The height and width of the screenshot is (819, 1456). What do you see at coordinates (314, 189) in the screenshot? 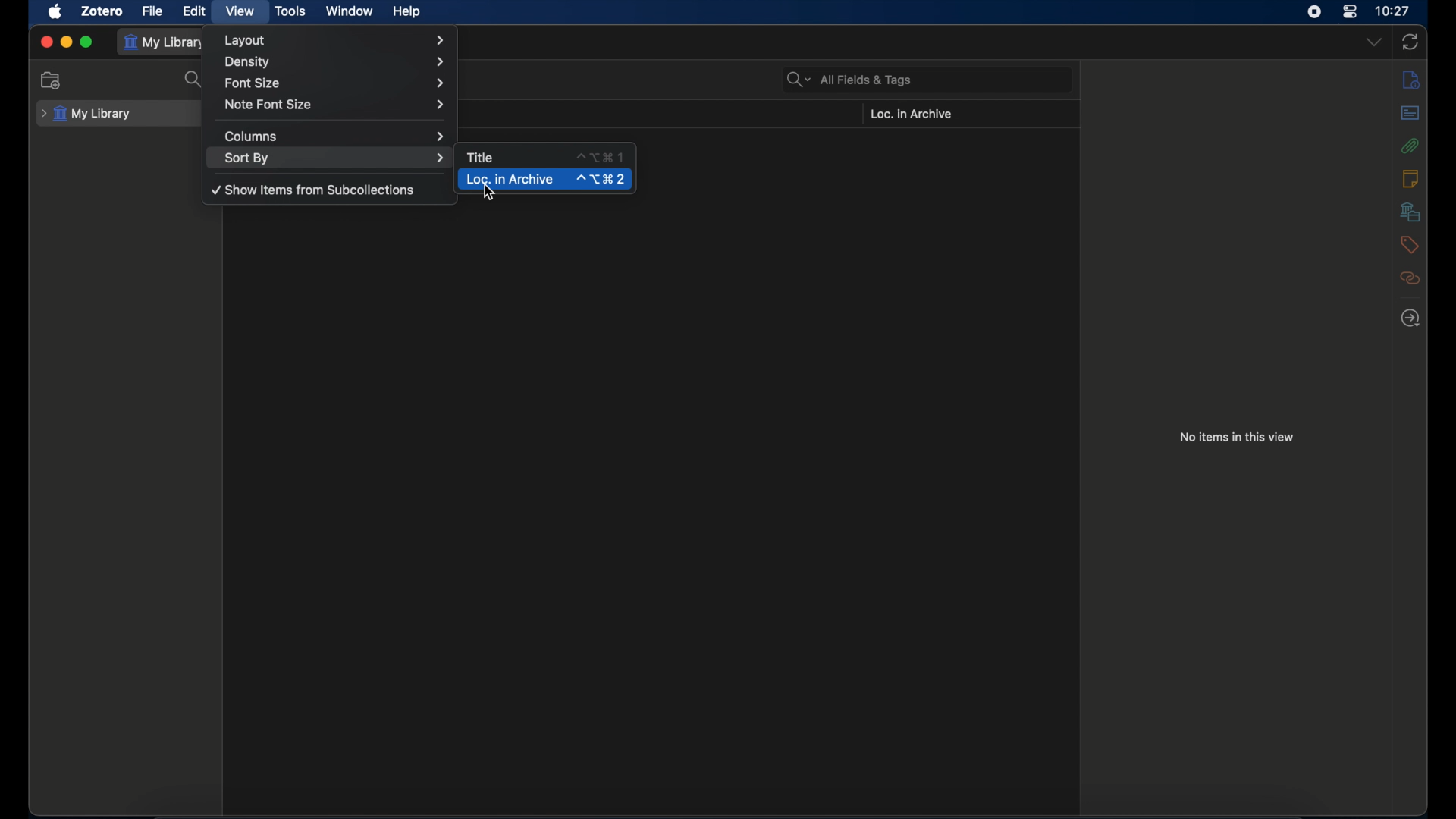
I see `show items from subcollections` at bounding box center [314, 189].